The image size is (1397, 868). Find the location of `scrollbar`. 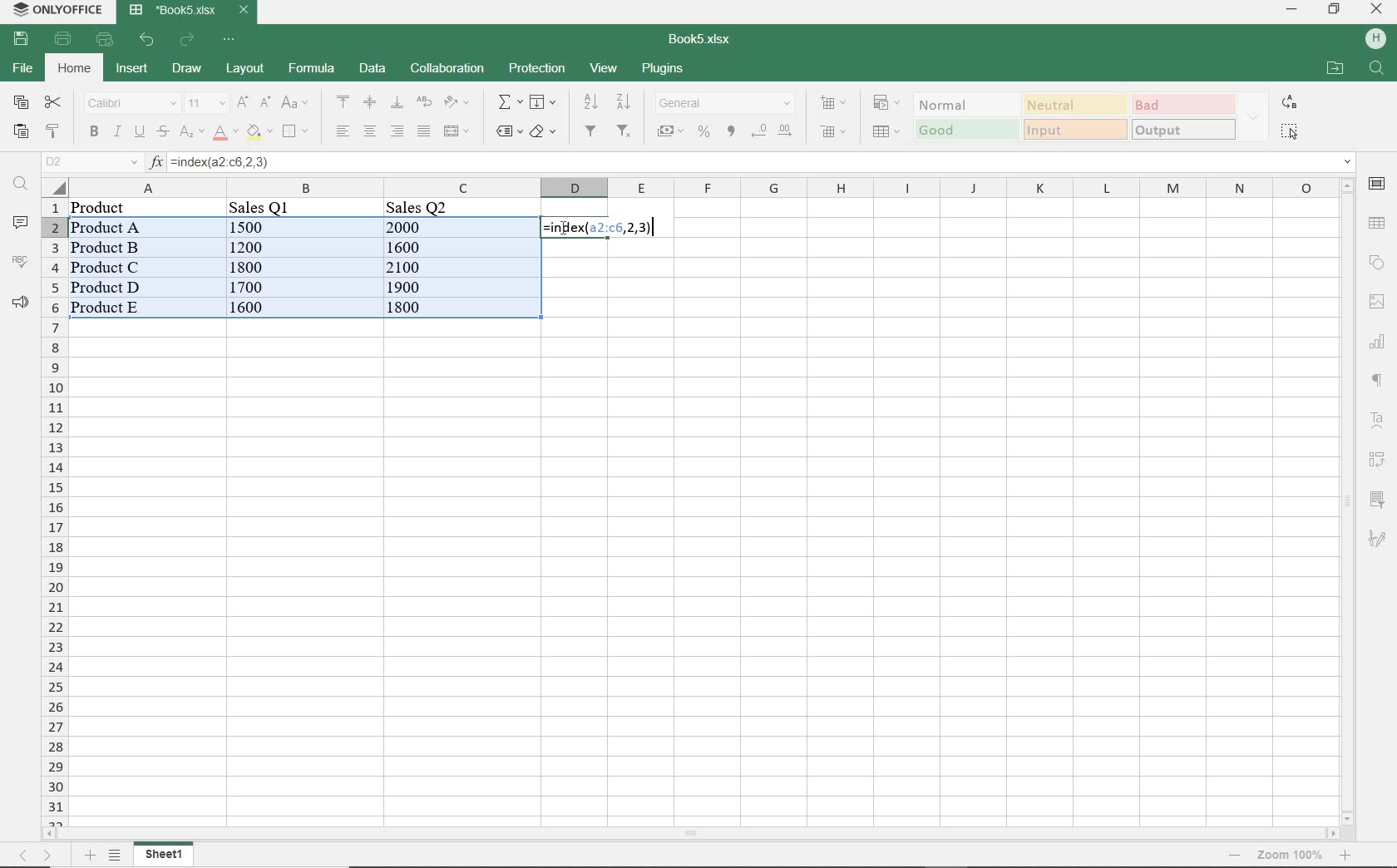

scrollbar is located at coordinates (1346, 501).